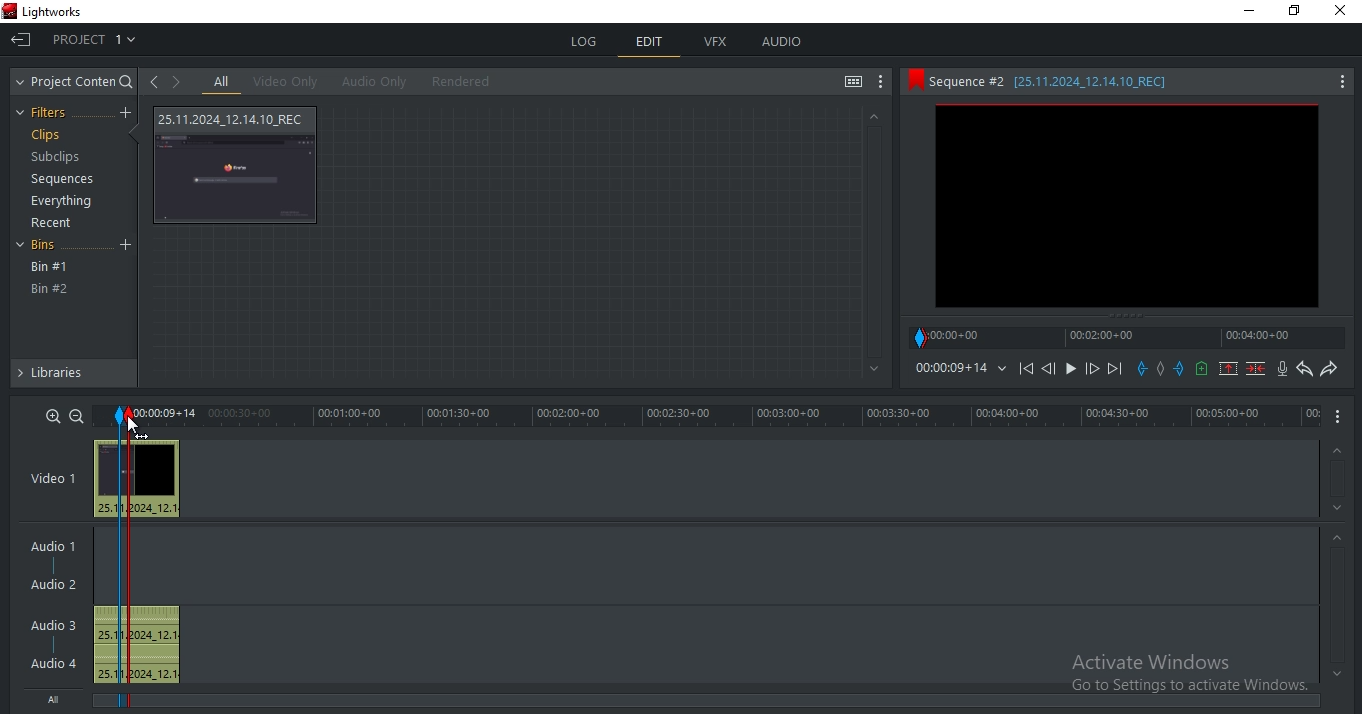 The width and height of the screenshot is (1362, 714). Describe the element at coordinates (47, 113) in the screenshot. I see `filters` at that location.